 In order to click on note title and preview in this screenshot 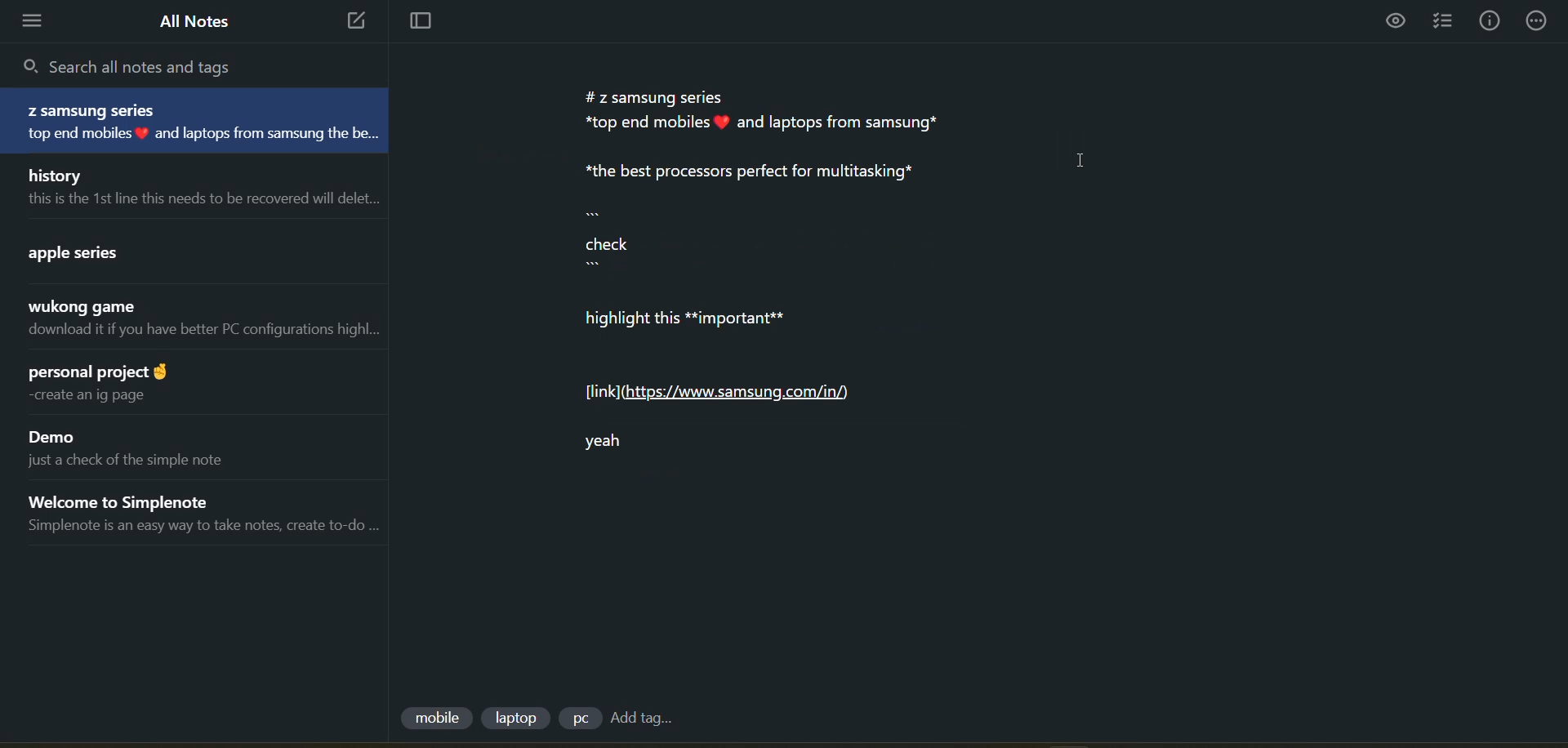, I will do `click(181, 250)`.